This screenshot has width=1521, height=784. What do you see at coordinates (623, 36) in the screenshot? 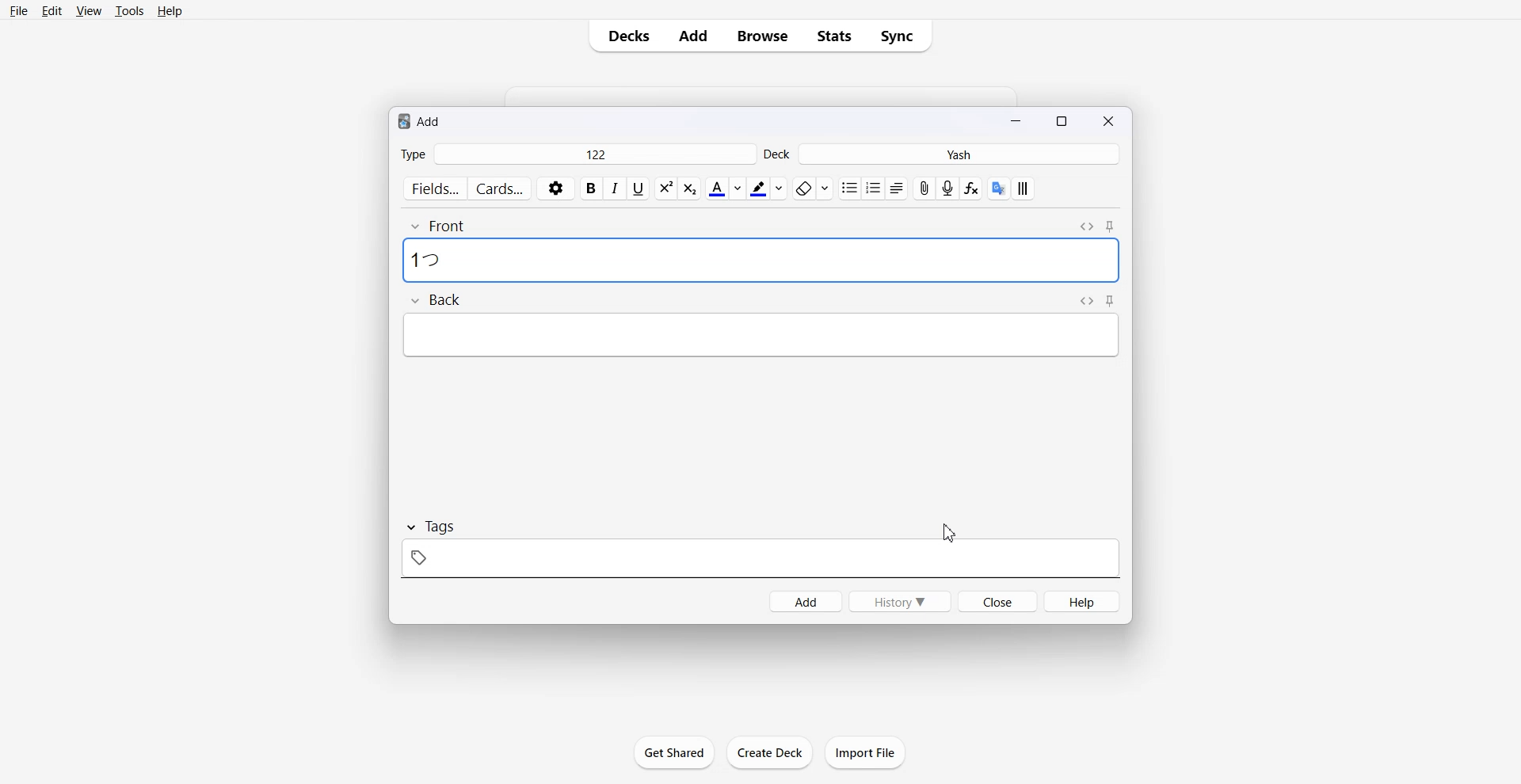
I see `Decks` at bounding box center [623, 36].